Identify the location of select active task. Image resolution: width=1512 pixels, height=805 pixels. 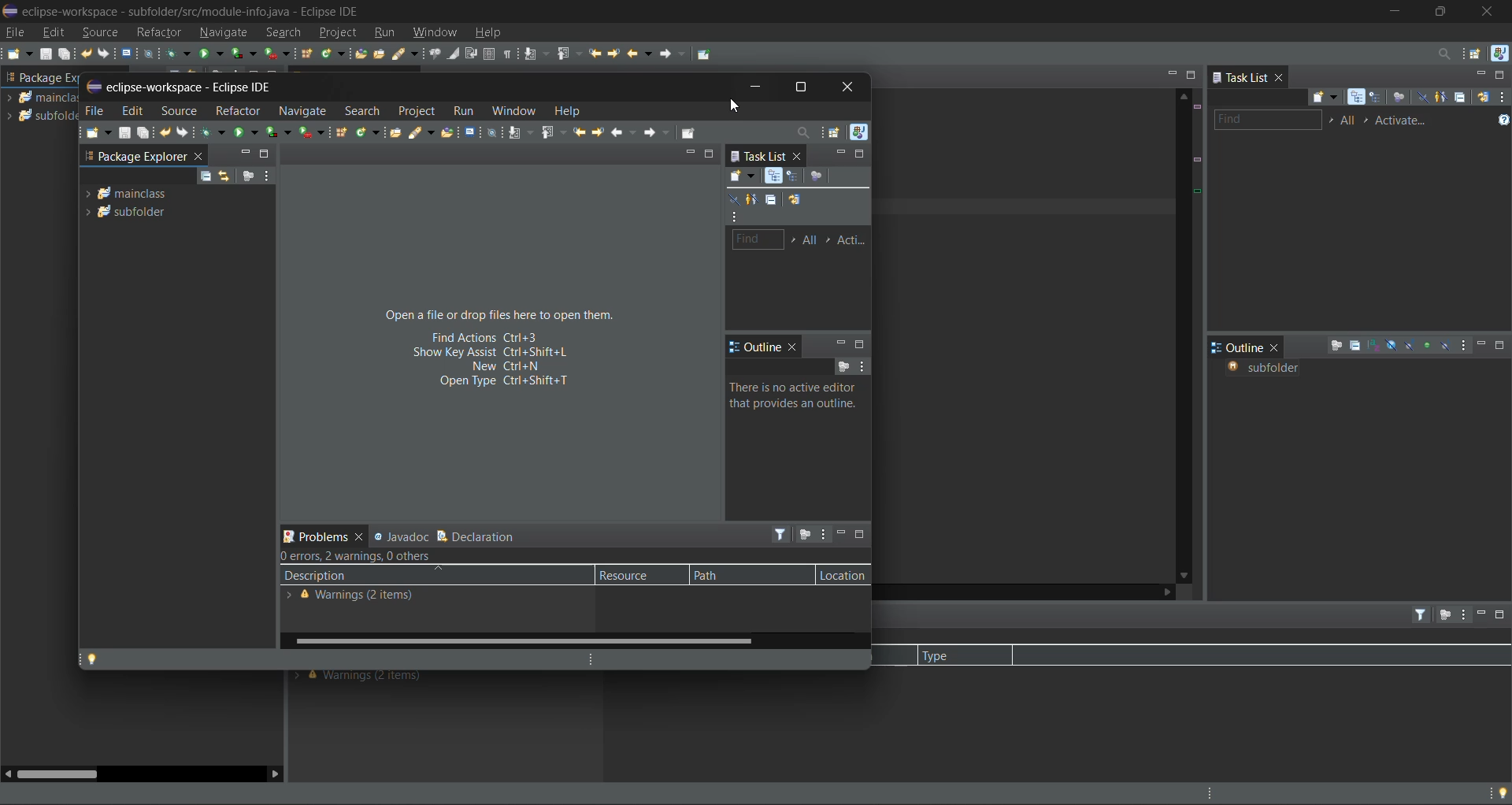
(1368, 119).